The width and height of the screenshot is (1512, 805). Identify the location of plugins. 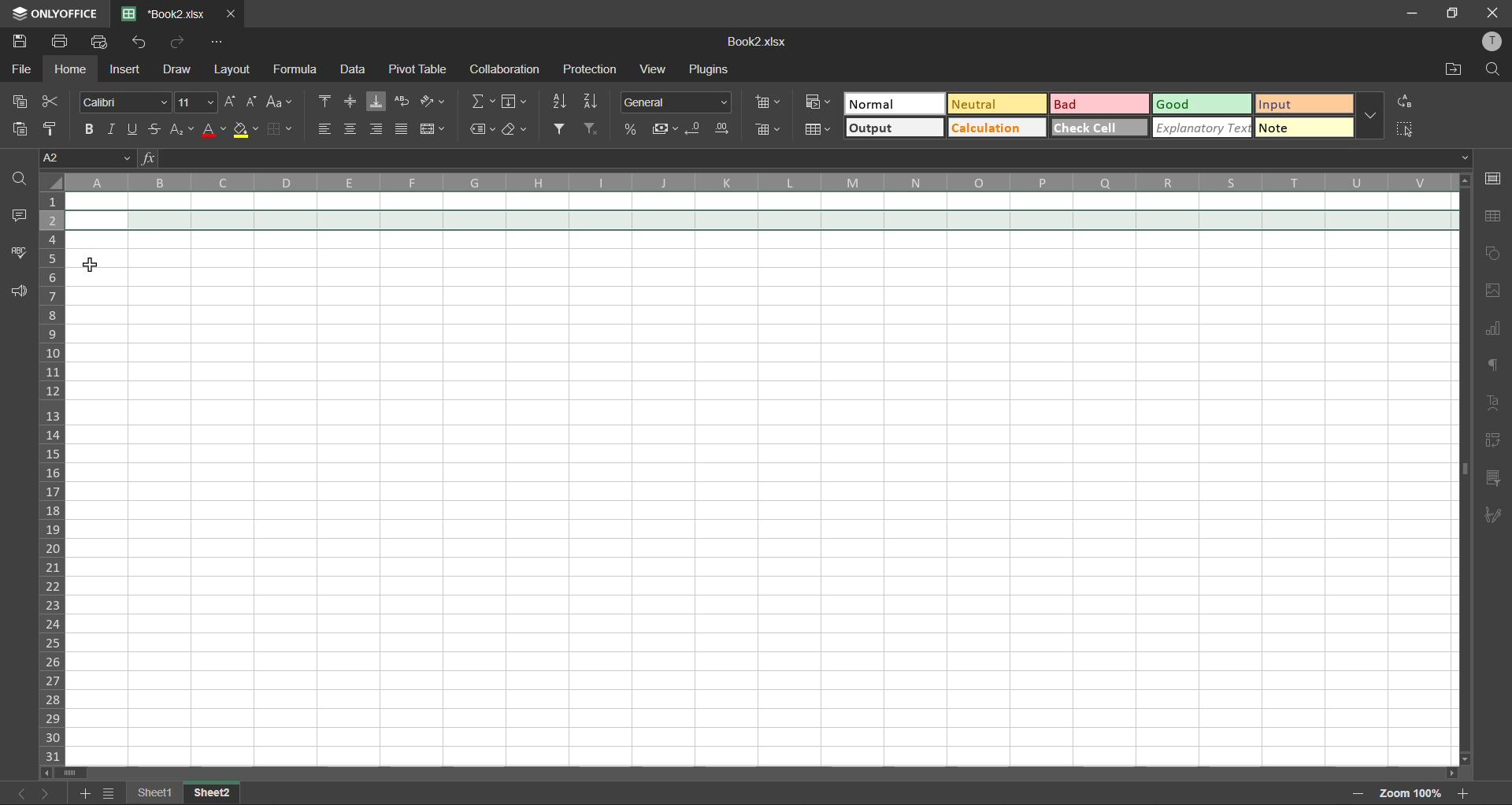
(707, 68).